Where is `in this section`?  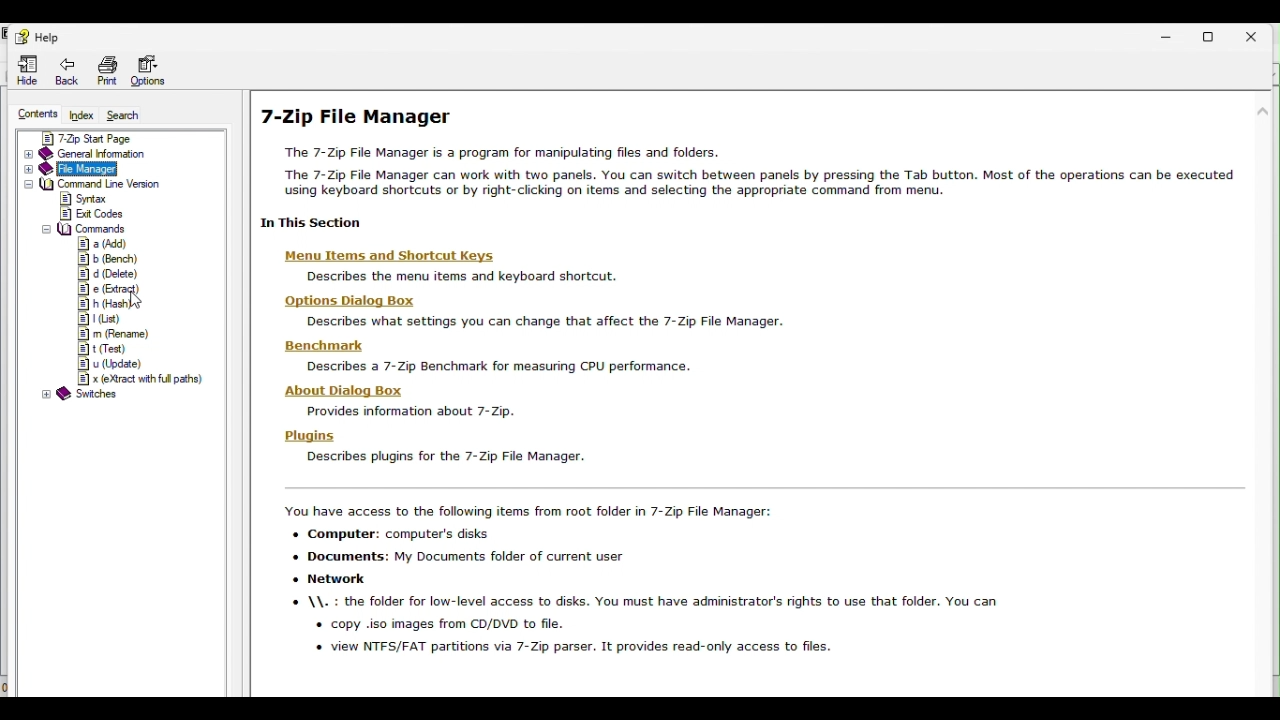
in this section is located at coordinates (318, 222).